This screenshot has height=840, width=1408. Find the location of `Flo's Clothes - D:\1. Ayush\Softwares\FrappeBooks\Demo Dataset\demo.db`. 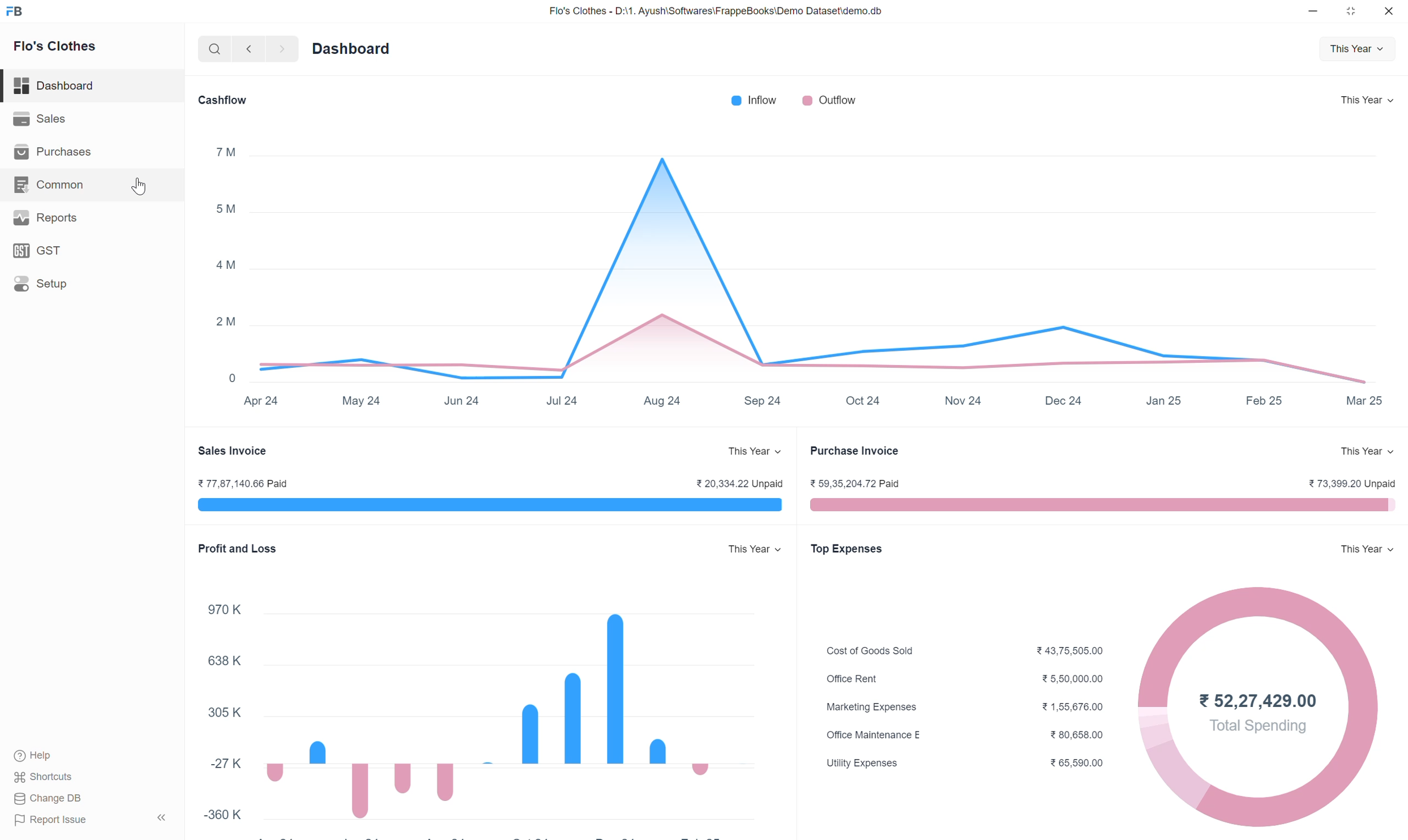

Flo's Clothes - D:\1. Ayush\Softwares\FrappeBooks\Demo Dataset\demo.db is located at coordinates (720, 12).